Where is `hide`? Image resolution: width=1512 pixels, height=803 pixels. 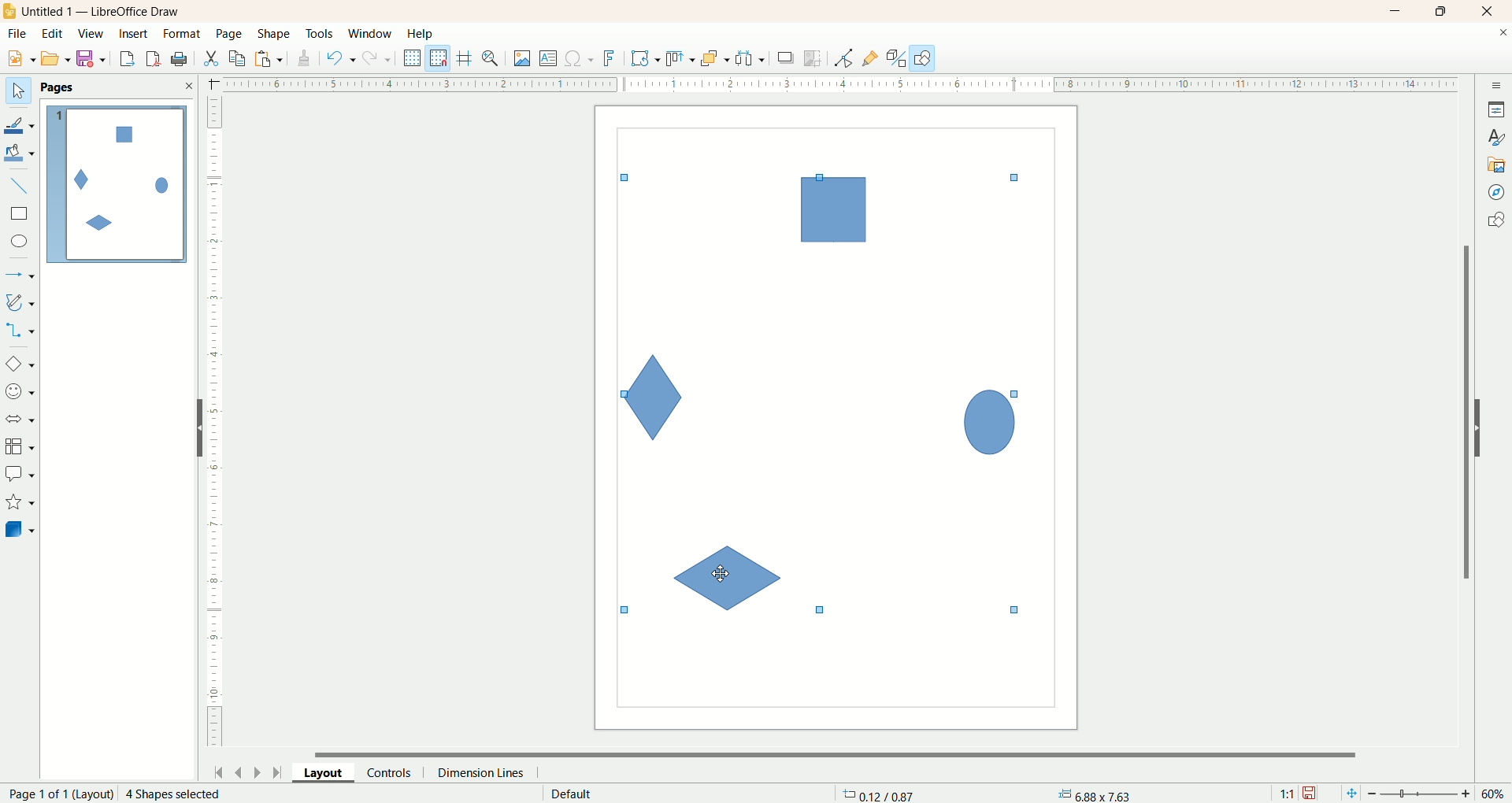
hide is located at coordinates (193, 431).